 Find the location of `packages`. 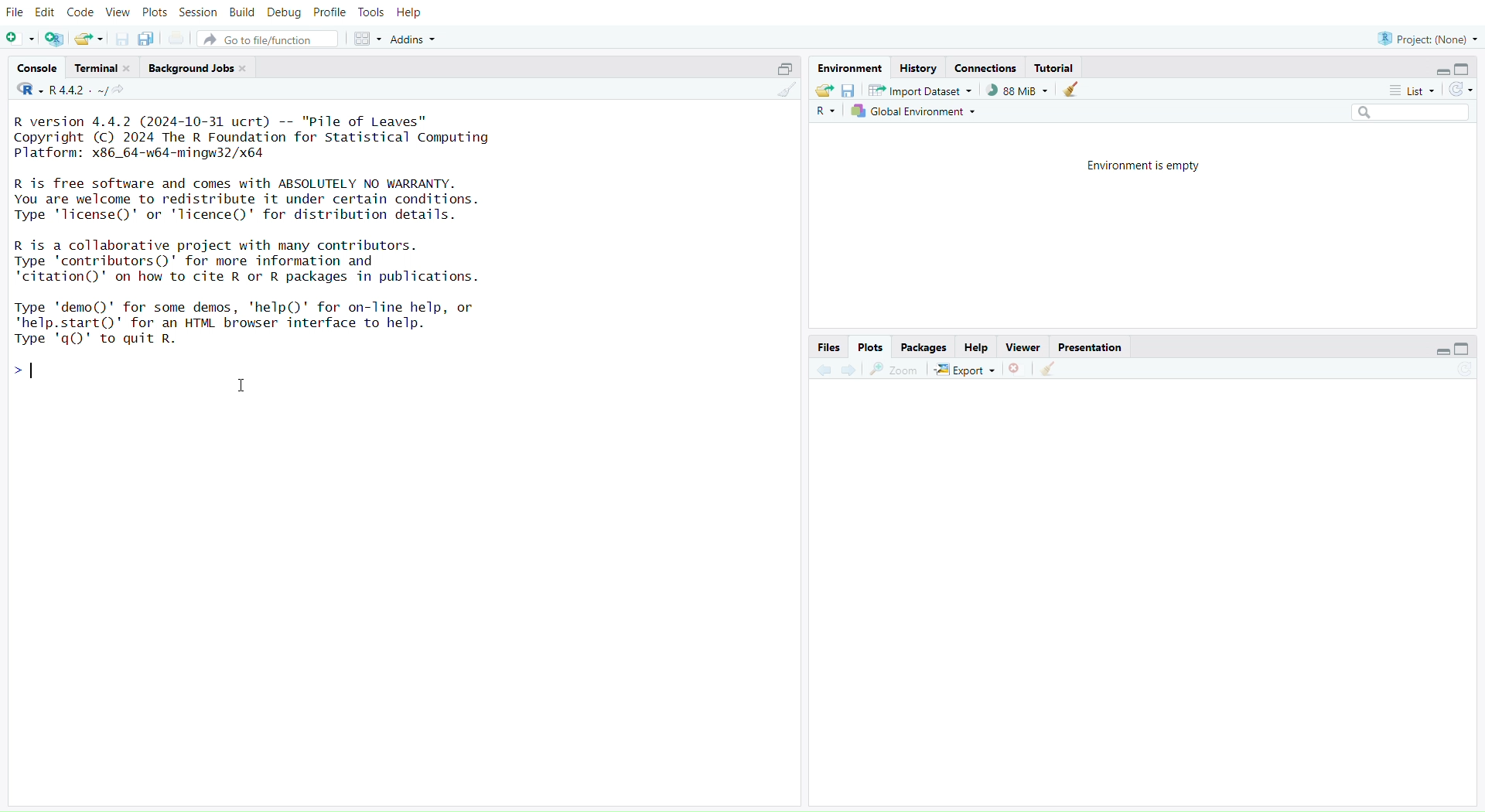

packages is located at coordinates (925, 348).